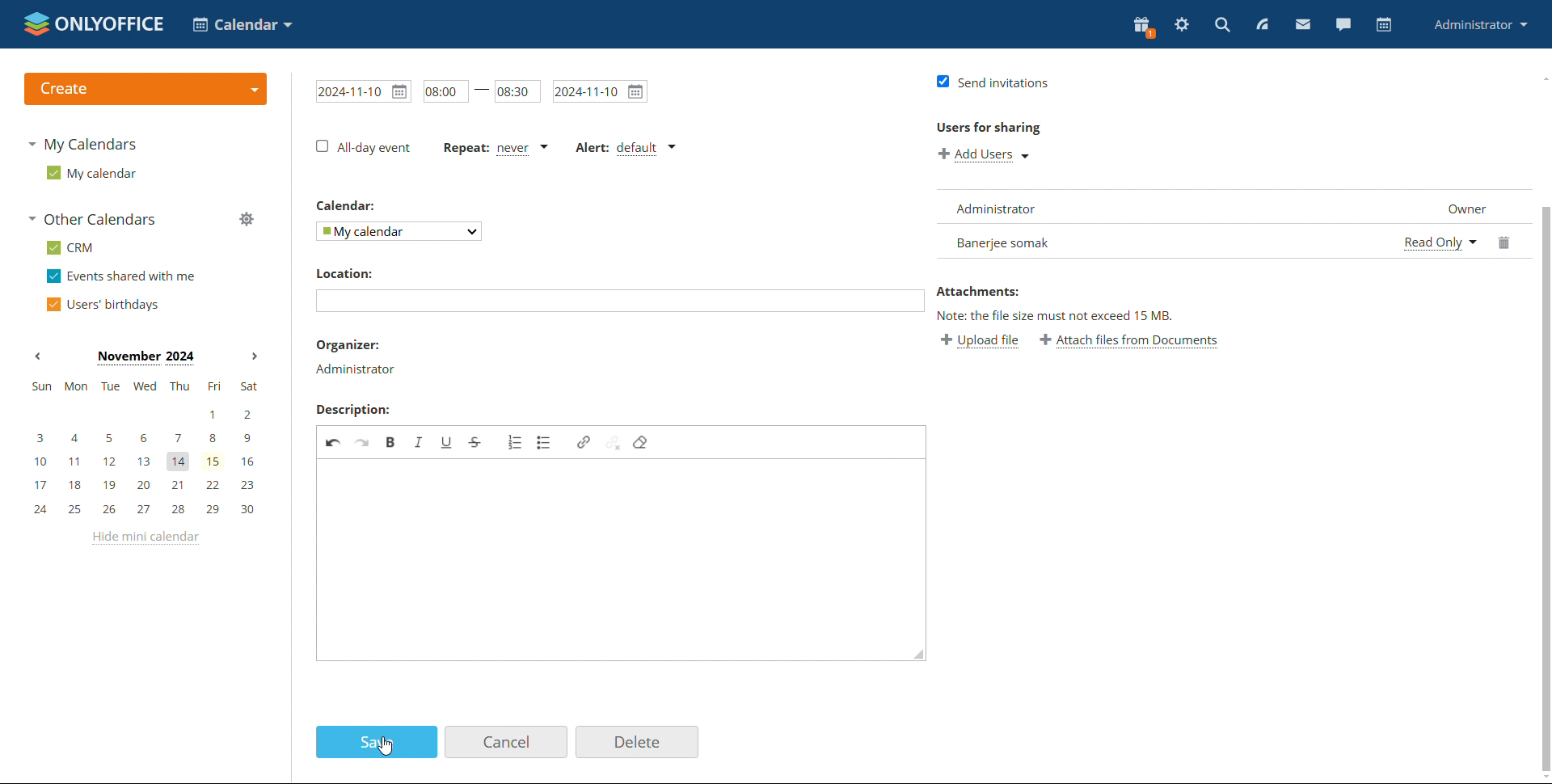 The image size is (1552, 784). What do you see at coordinates (37, 356) in the screenshot?
I see `previous month` at bounding box center [37, 356].